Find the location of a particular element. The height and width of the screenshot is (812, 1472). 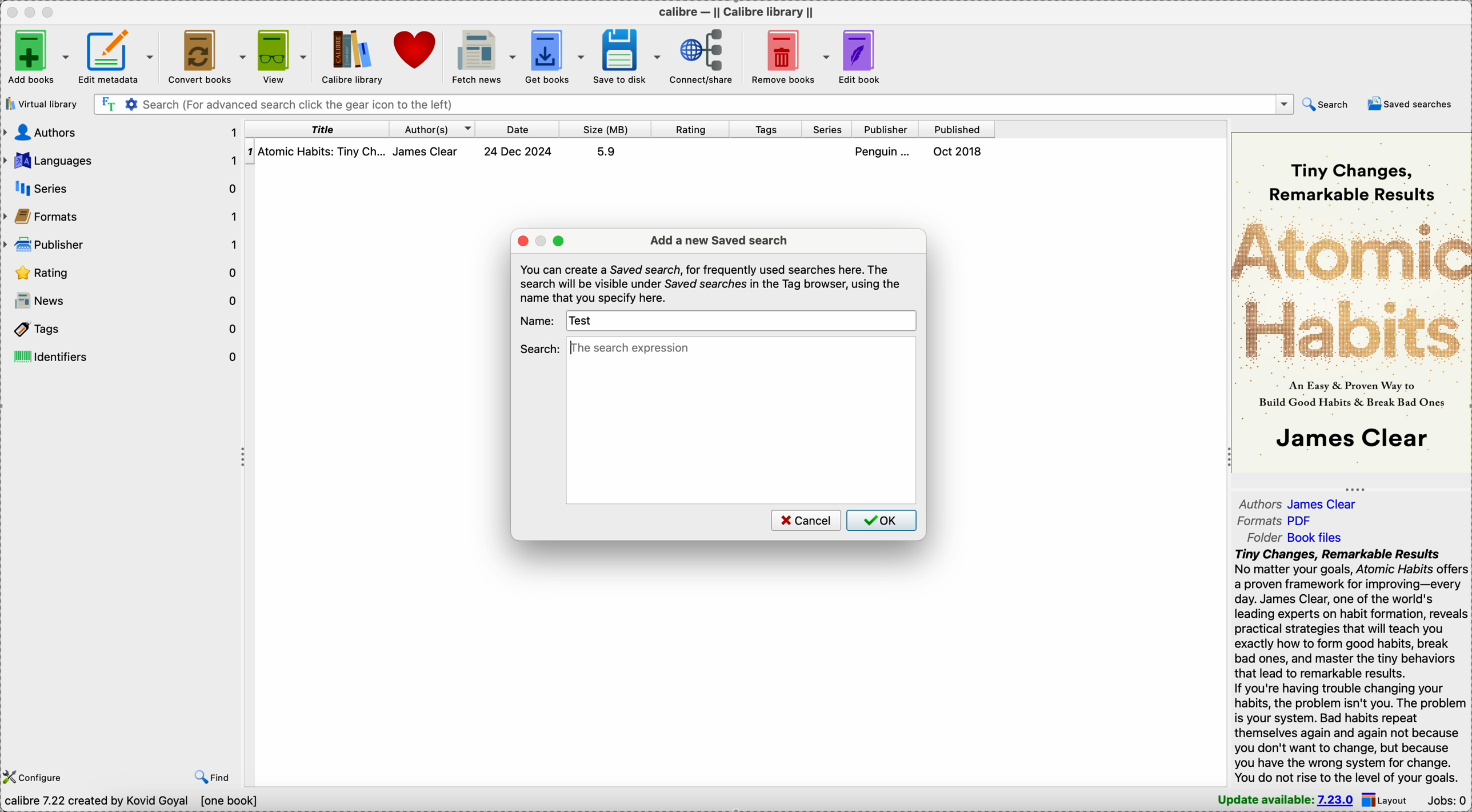

1 - index number is located at coordinates (250, 151).